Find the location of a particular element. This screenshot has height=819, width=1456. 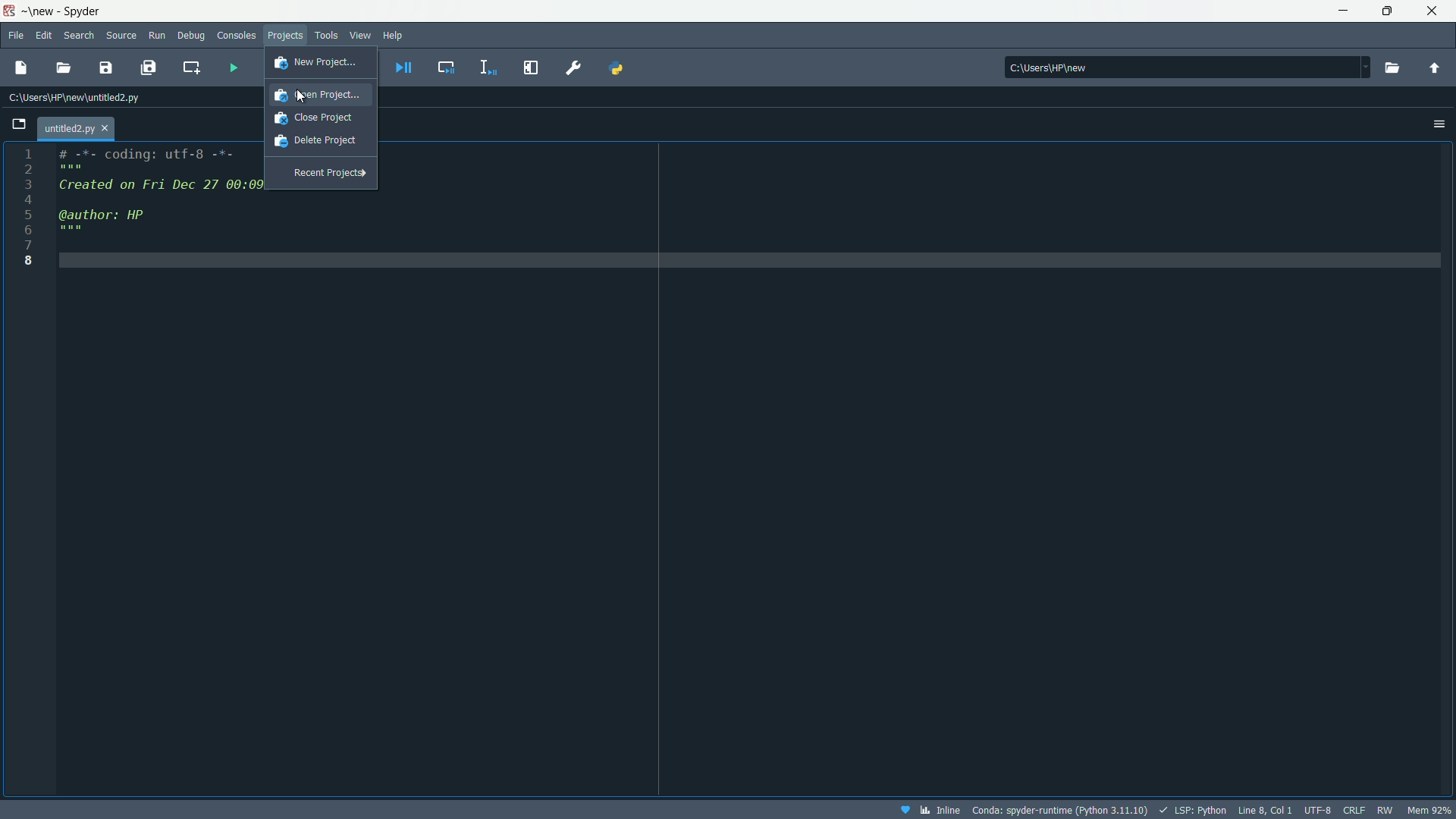

python path manager is located at coordinates (620, 67).